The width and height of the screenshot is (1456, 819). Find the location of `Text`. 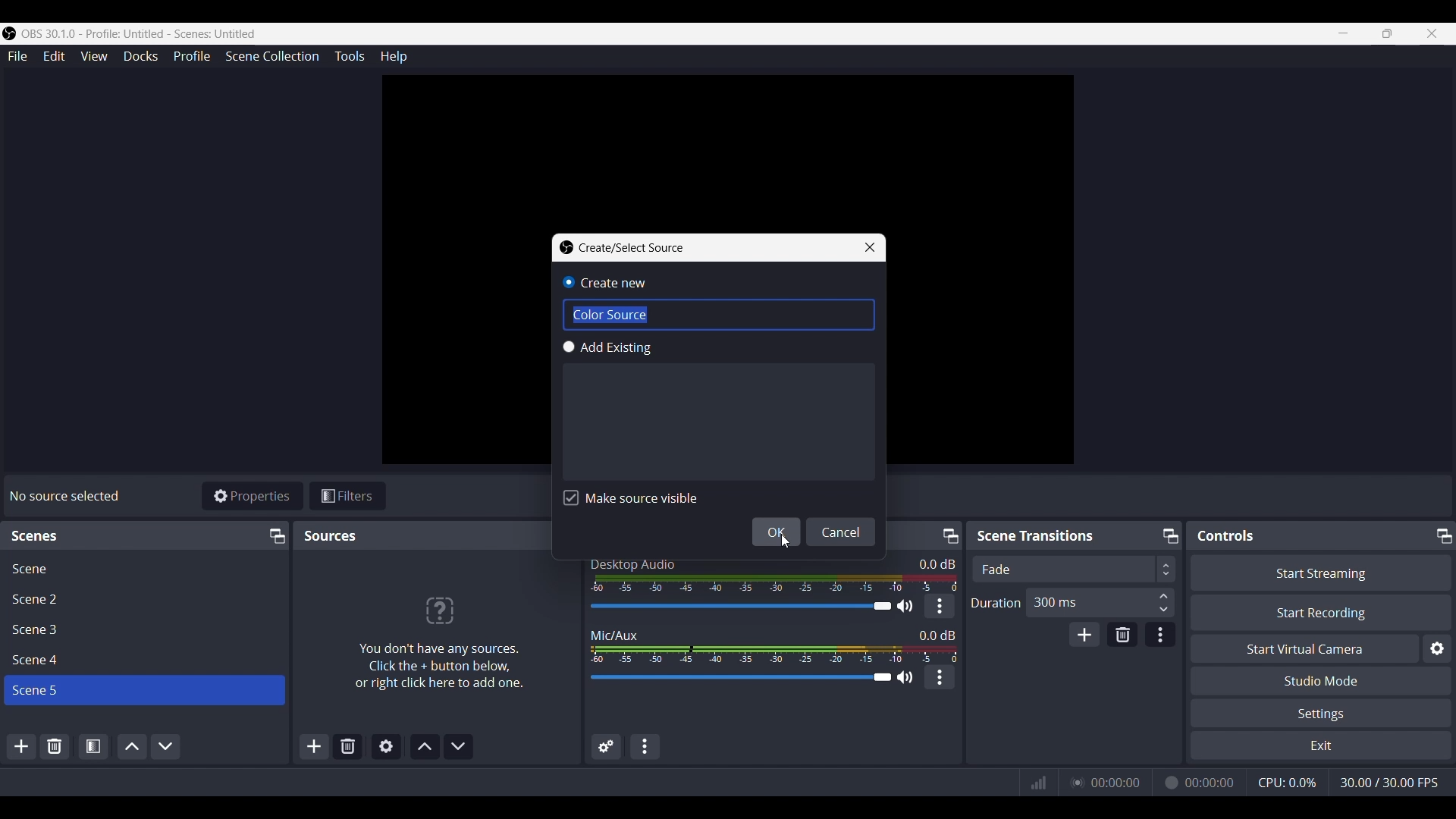

Text is located at coordinates (626, 247).